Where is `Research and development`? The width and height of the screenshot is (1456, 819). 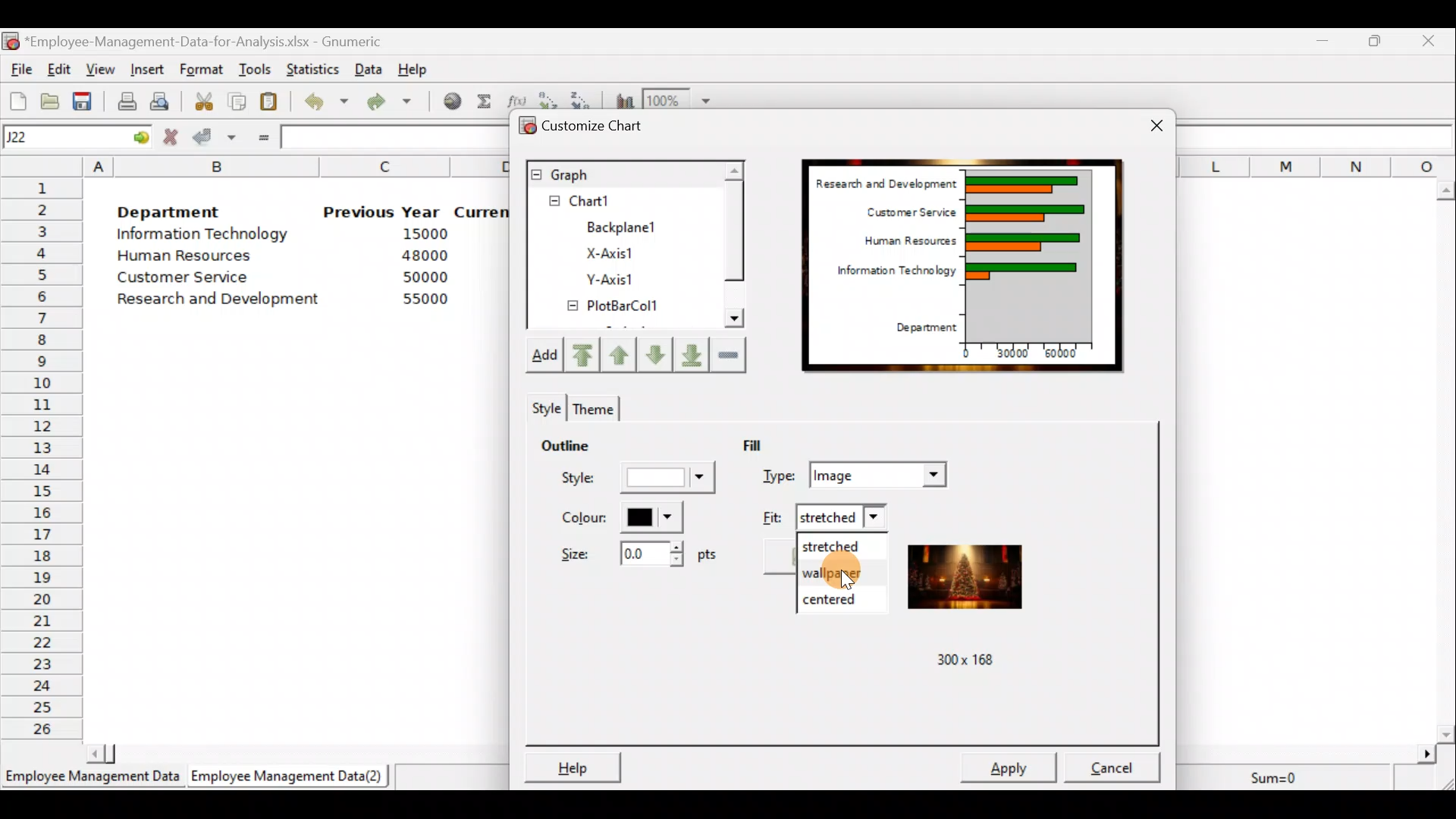 Research and development is located at coordinates (219, 297).